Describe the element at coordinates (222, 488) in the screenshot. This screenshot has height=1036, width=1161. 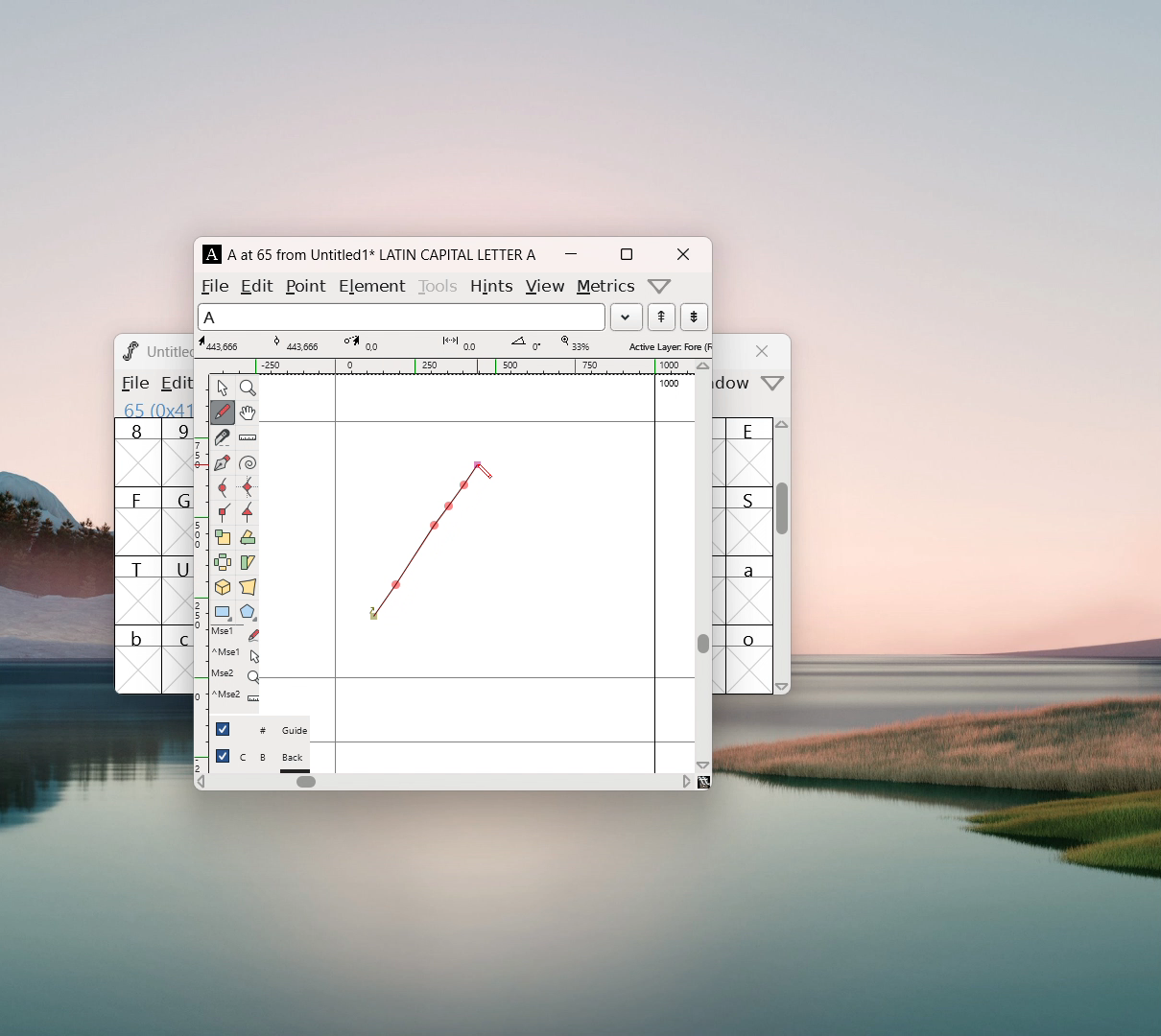
I see `add a curve point` at that location.